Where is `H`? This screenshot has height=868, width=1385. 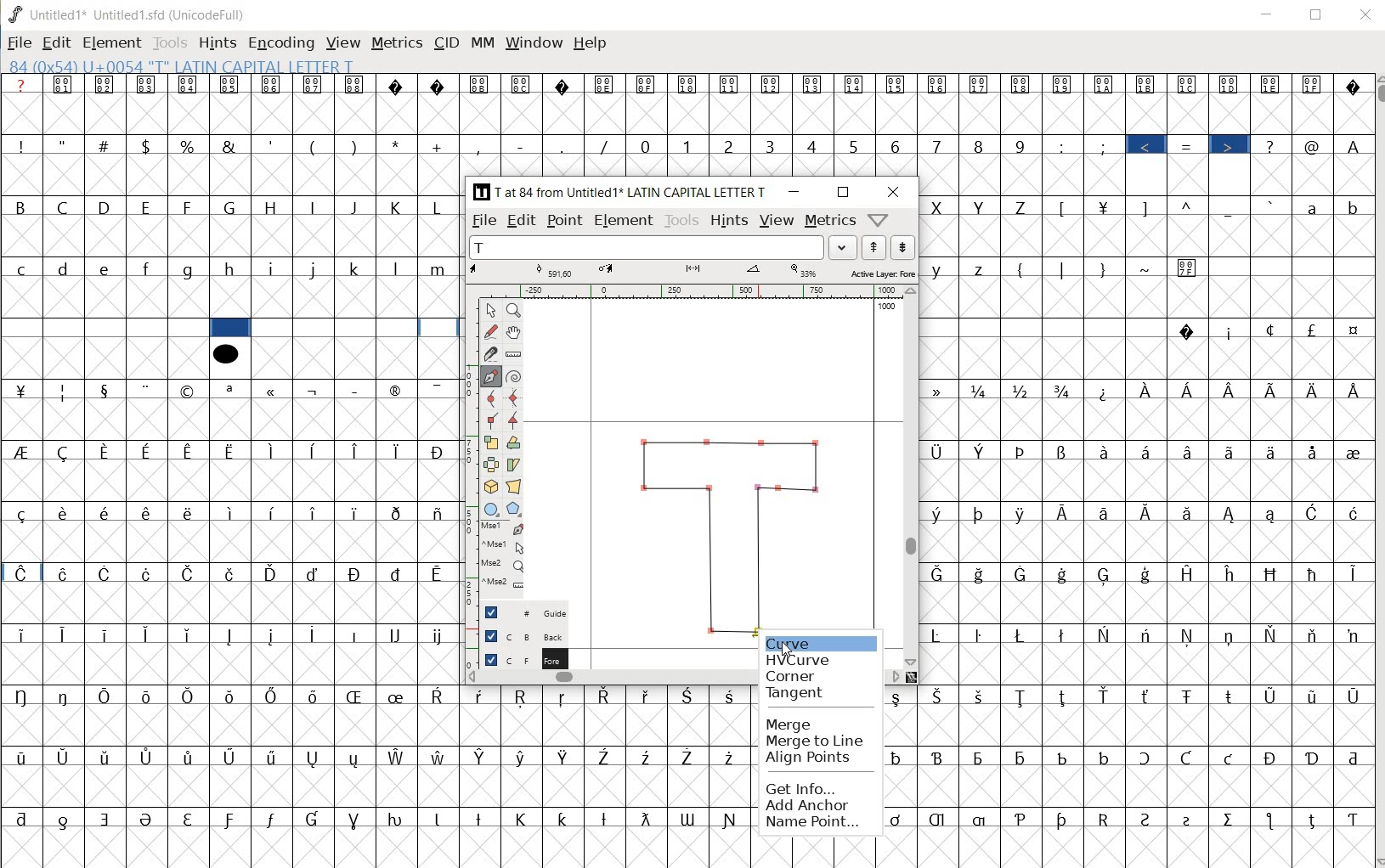
H is located at coordinates (273, 207).